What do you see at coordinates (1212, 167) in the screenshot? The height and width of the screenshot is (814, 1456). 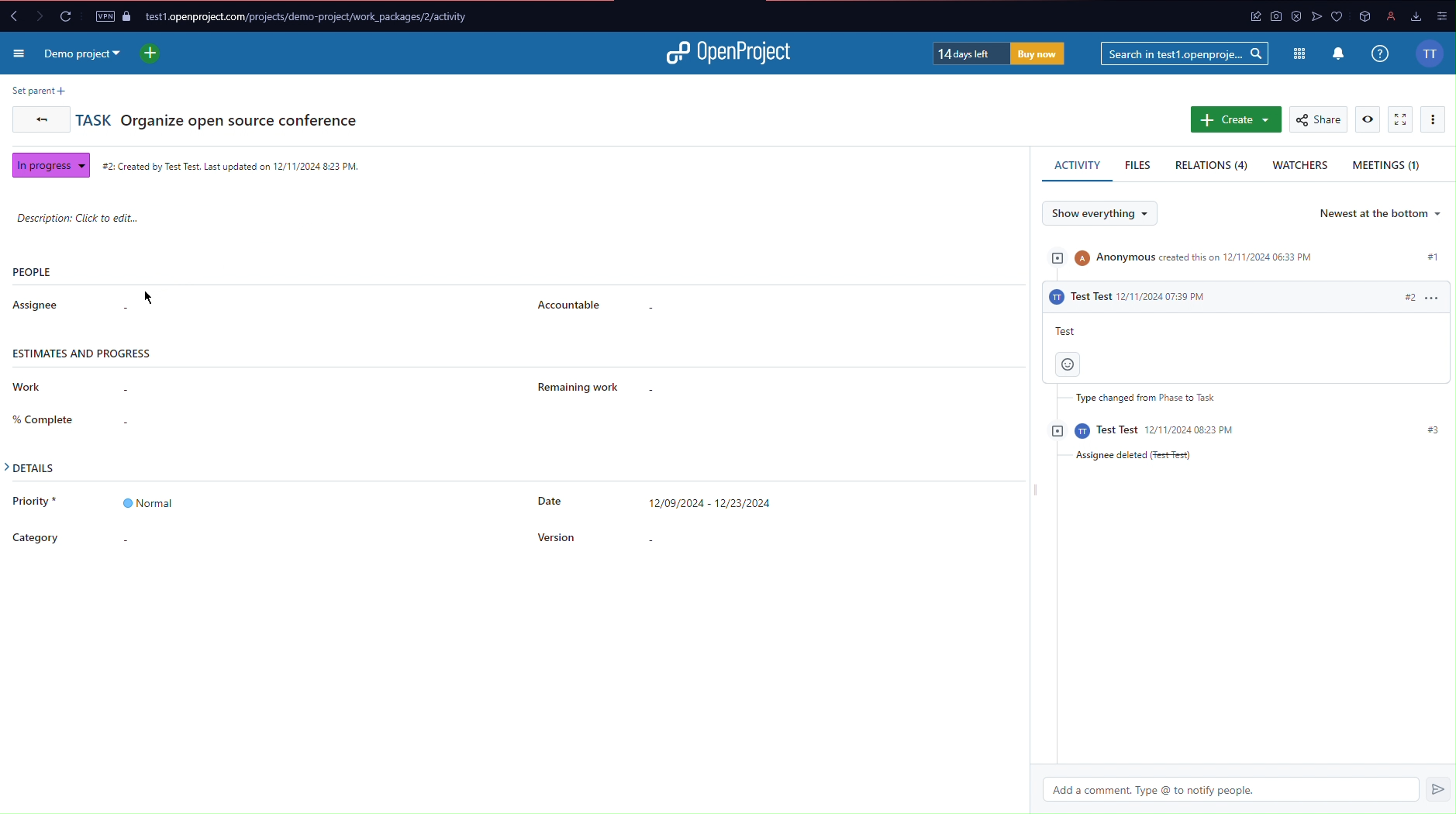 I see `Relations` at bounding box center [1212, 167].